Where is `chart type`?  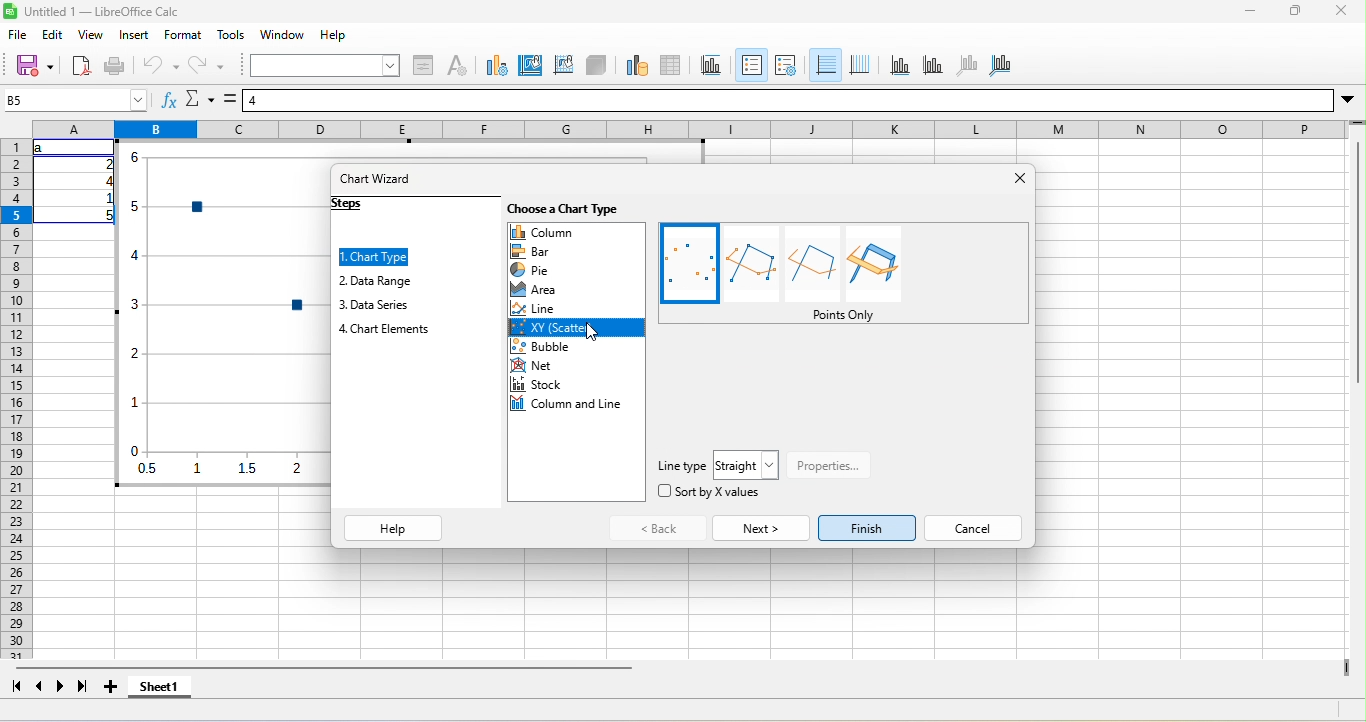
chart type is located at coordinates (497, 67).